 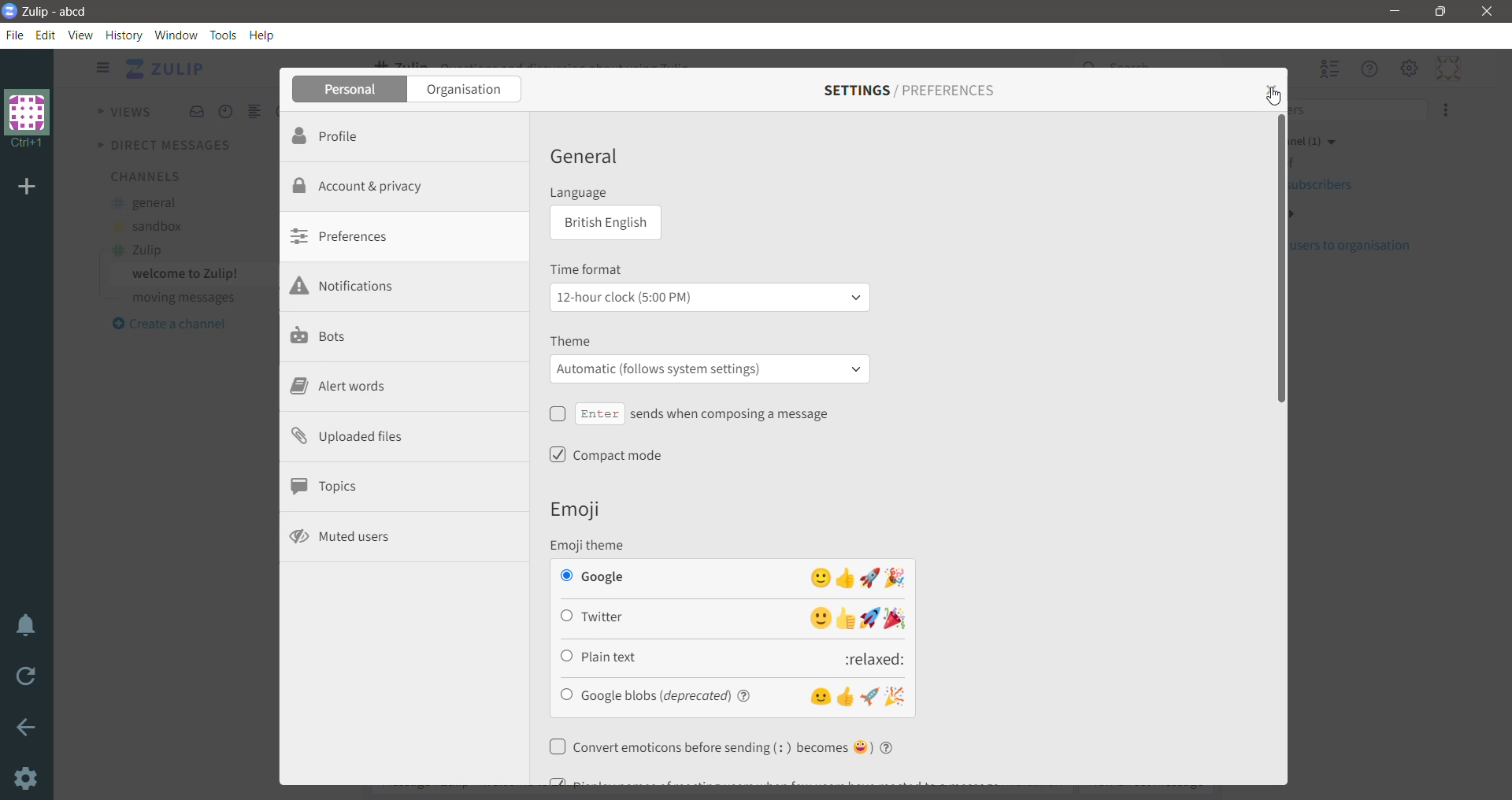 I want to click on Uploaded files, so click(x=356, y=438).